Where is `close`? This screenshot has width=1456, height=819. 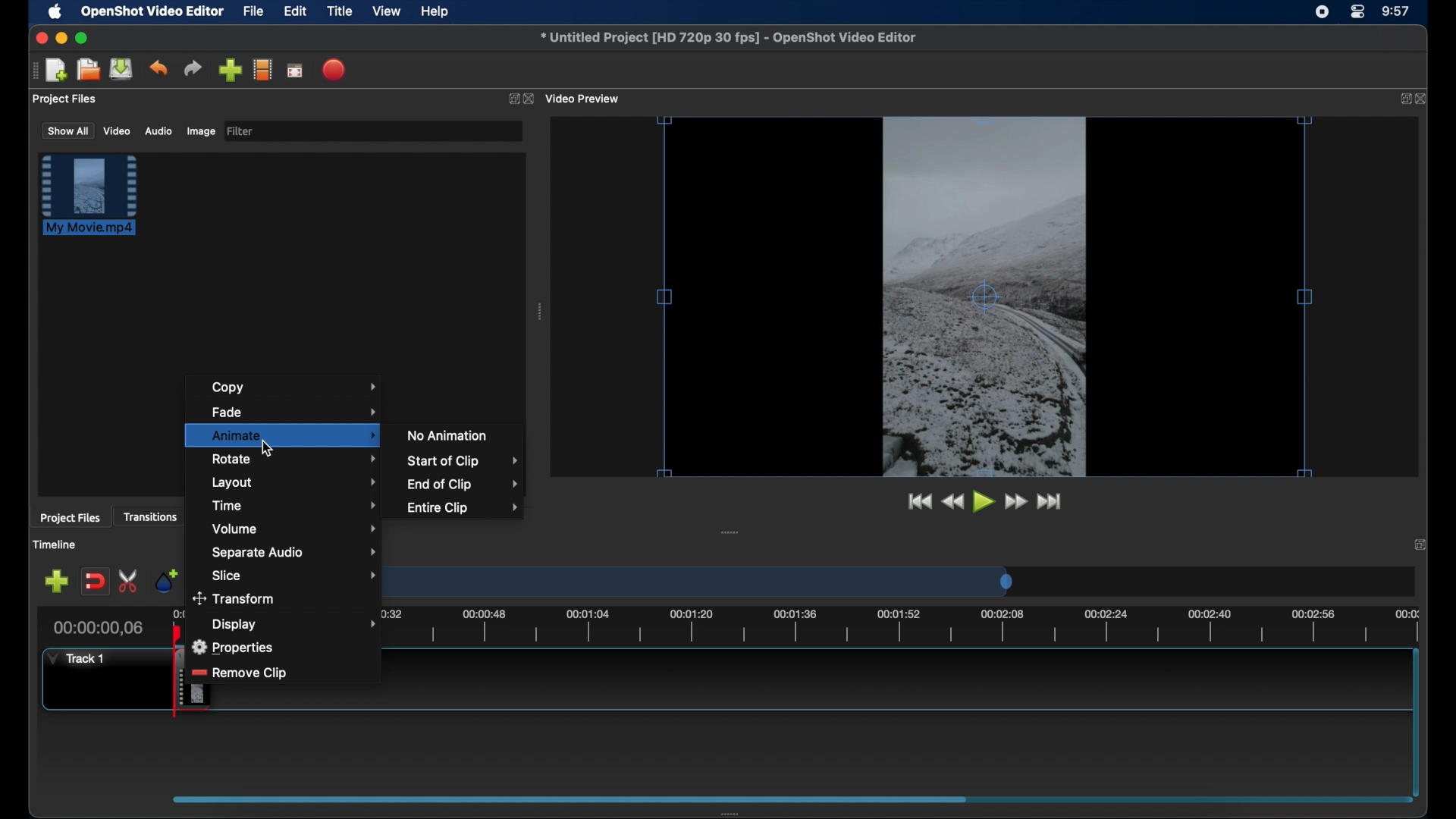 close is located at coordinates (39, 38).